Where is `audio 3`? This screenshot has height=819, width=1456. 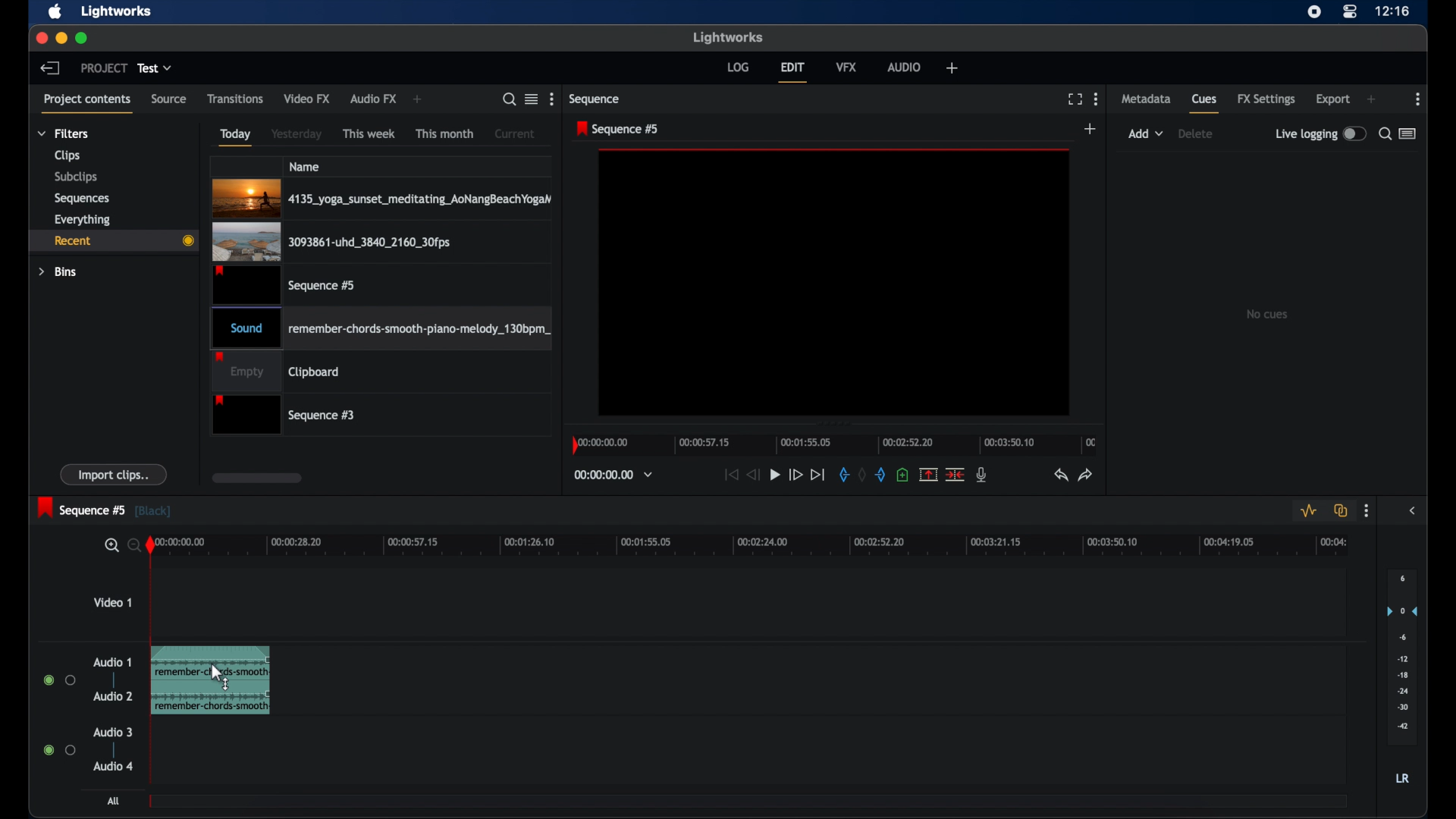 audio 3 is located at coordinates (114, 733).